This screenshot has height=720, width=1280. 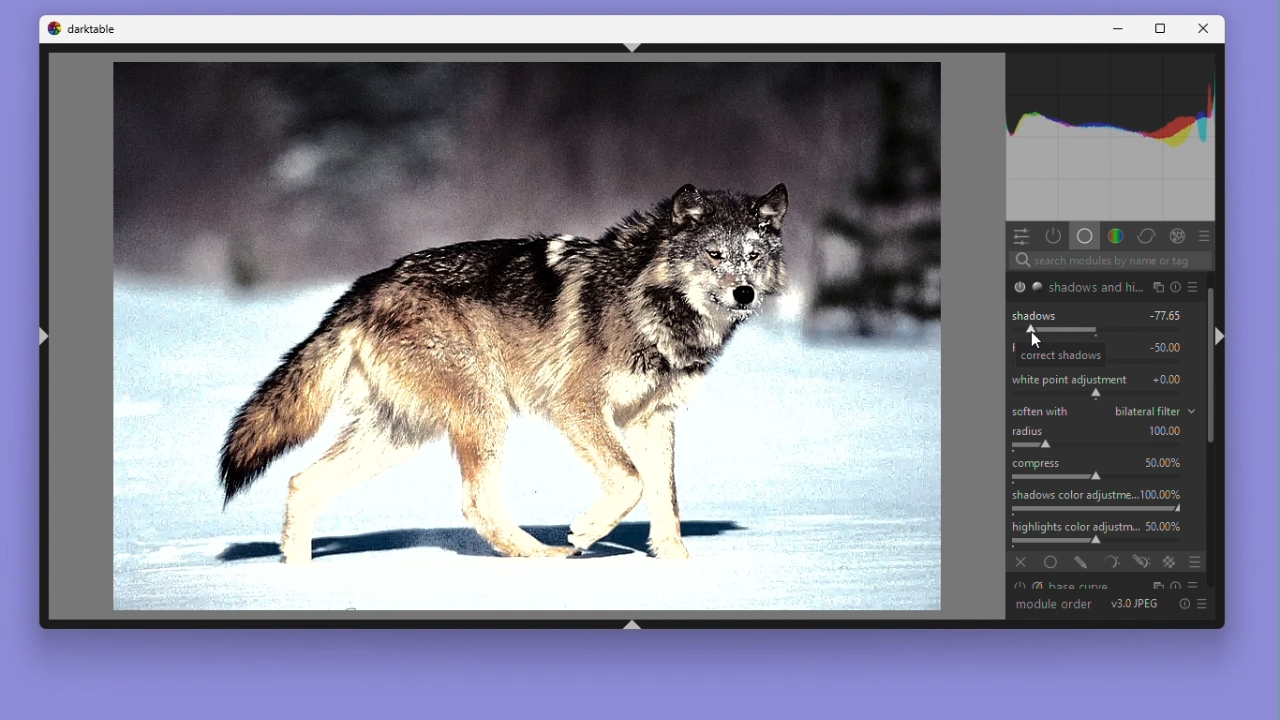 I want to click on Image, so click(x=523, y=335).